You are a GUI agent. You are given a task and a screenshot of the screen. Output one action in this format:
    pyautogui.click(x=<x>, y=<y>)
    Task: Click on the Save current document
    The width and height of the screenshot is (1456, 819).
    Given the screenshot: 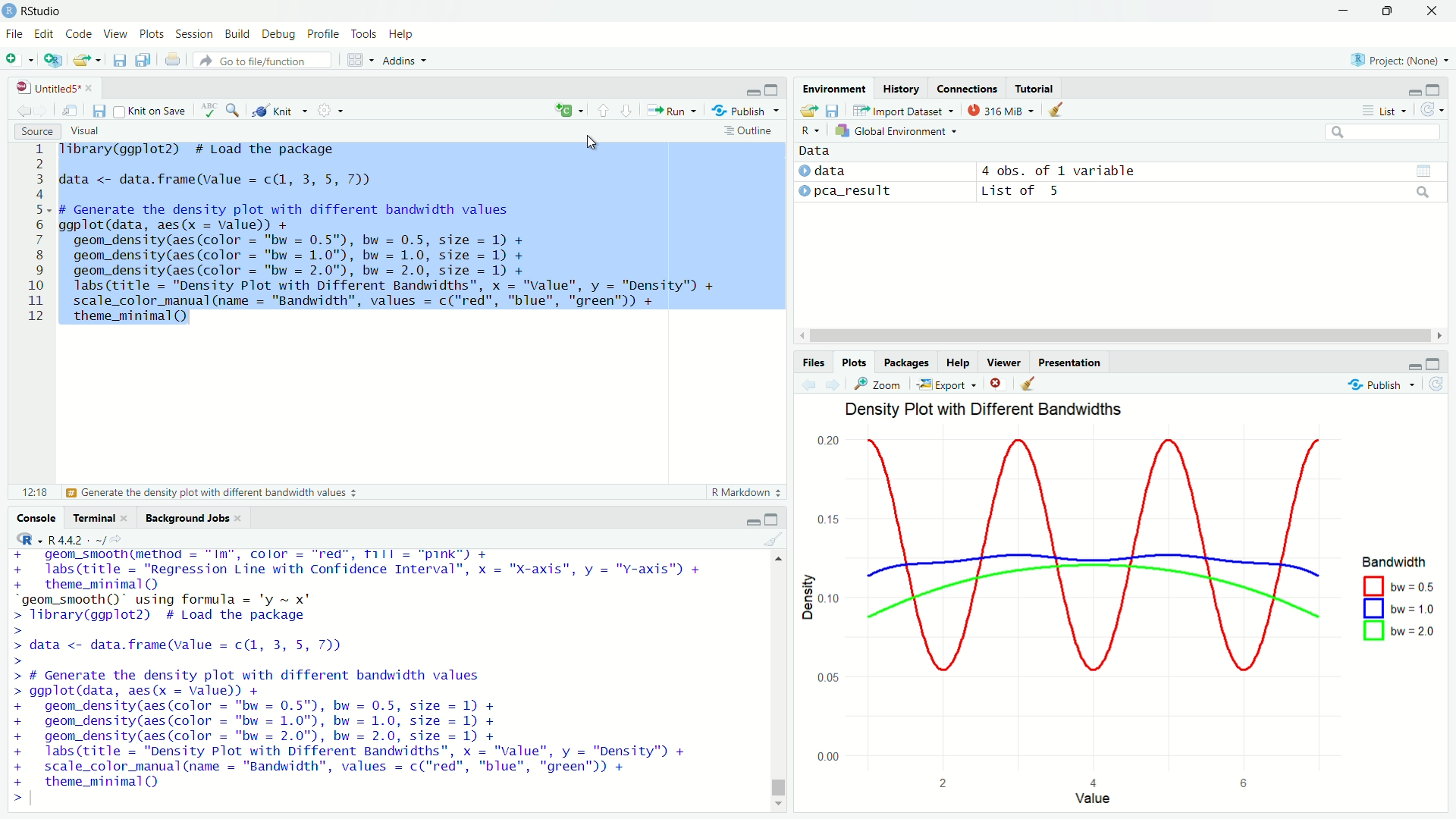 What is the action you would take?
    pyautogui.click(x=99, y=110)
    